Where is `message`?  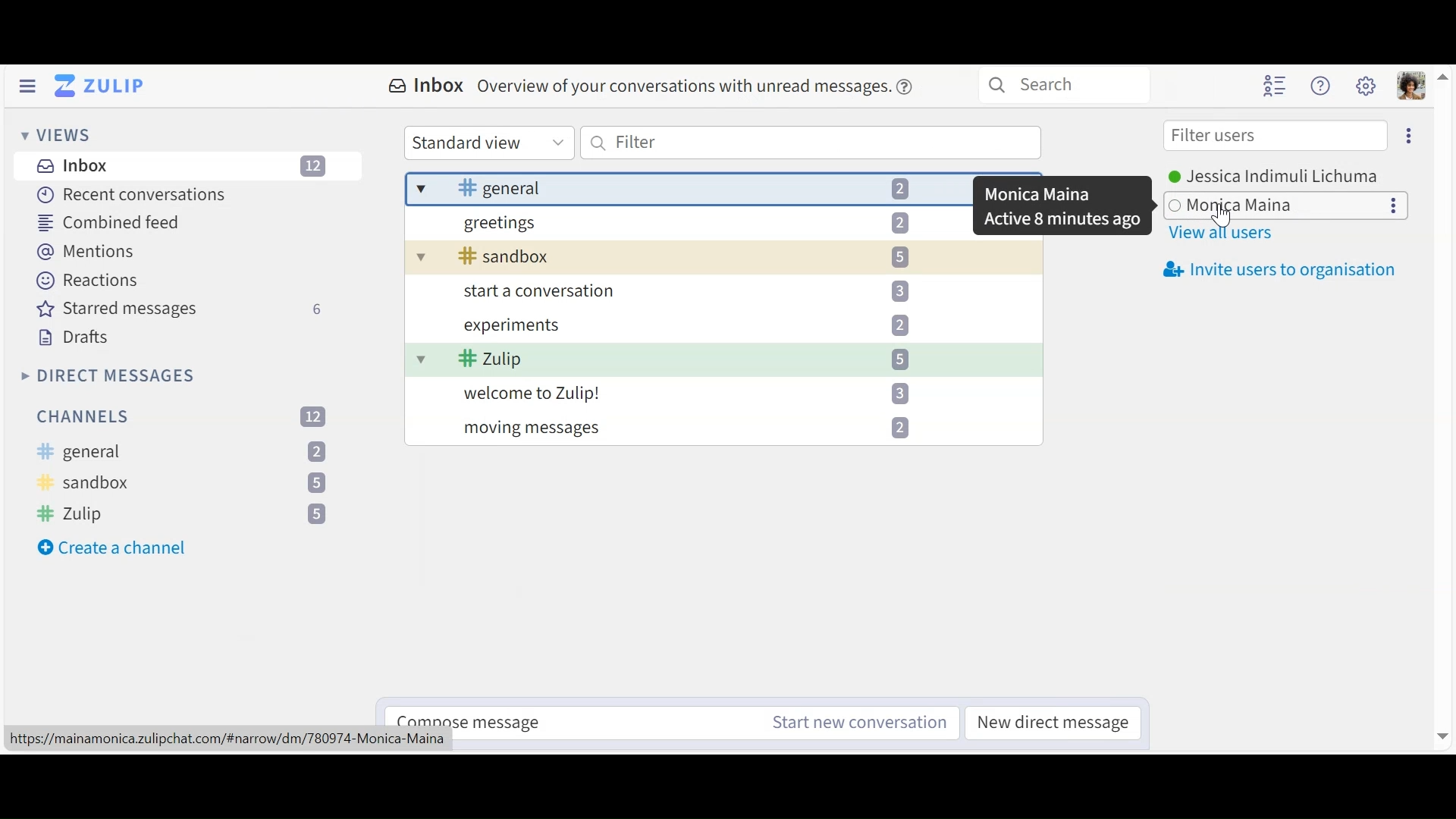
message is located at coordinates (730, 357).